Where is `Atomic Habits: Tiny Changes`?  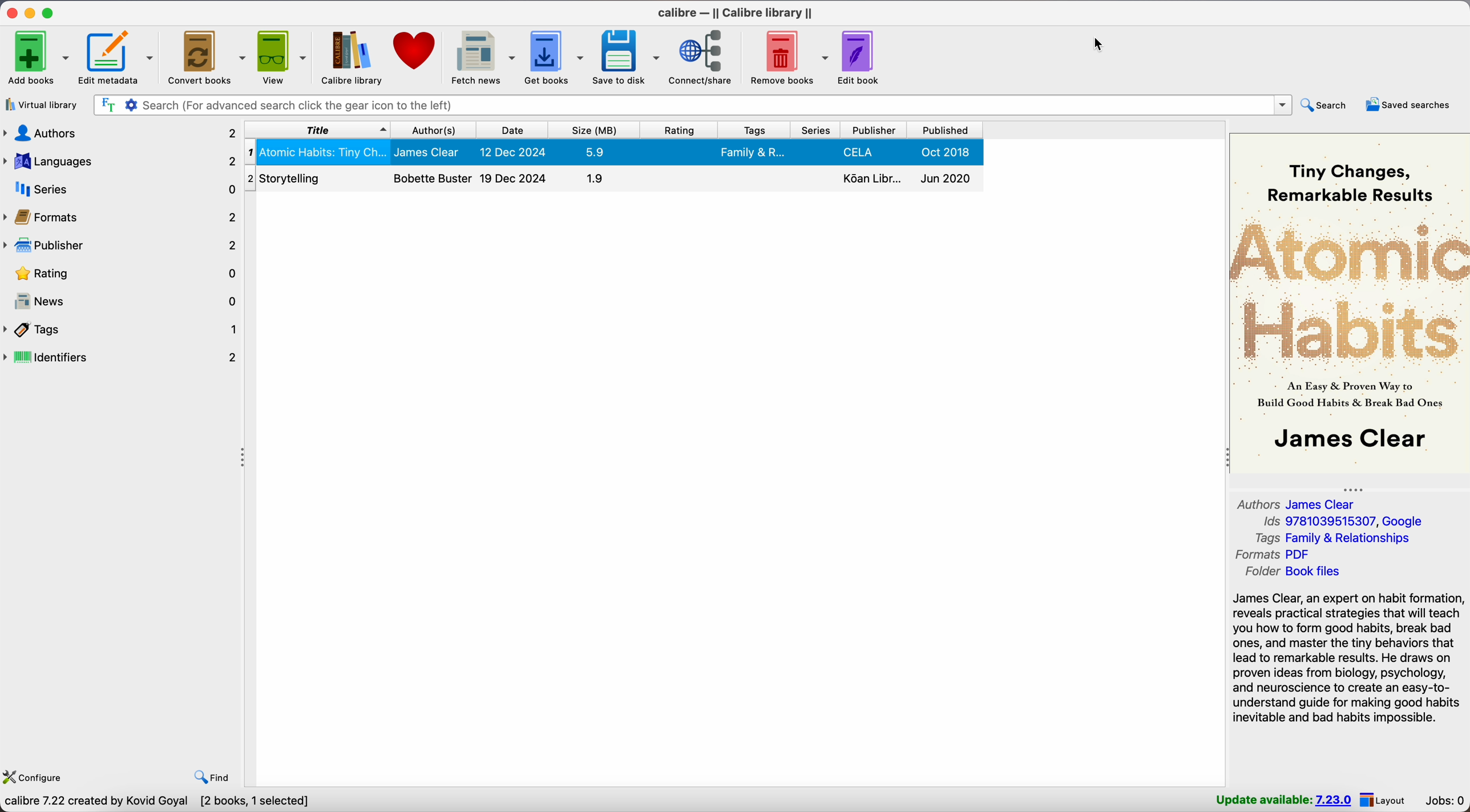 Atomic Habits: Tiny Changes is located at coordinates (616, 152).